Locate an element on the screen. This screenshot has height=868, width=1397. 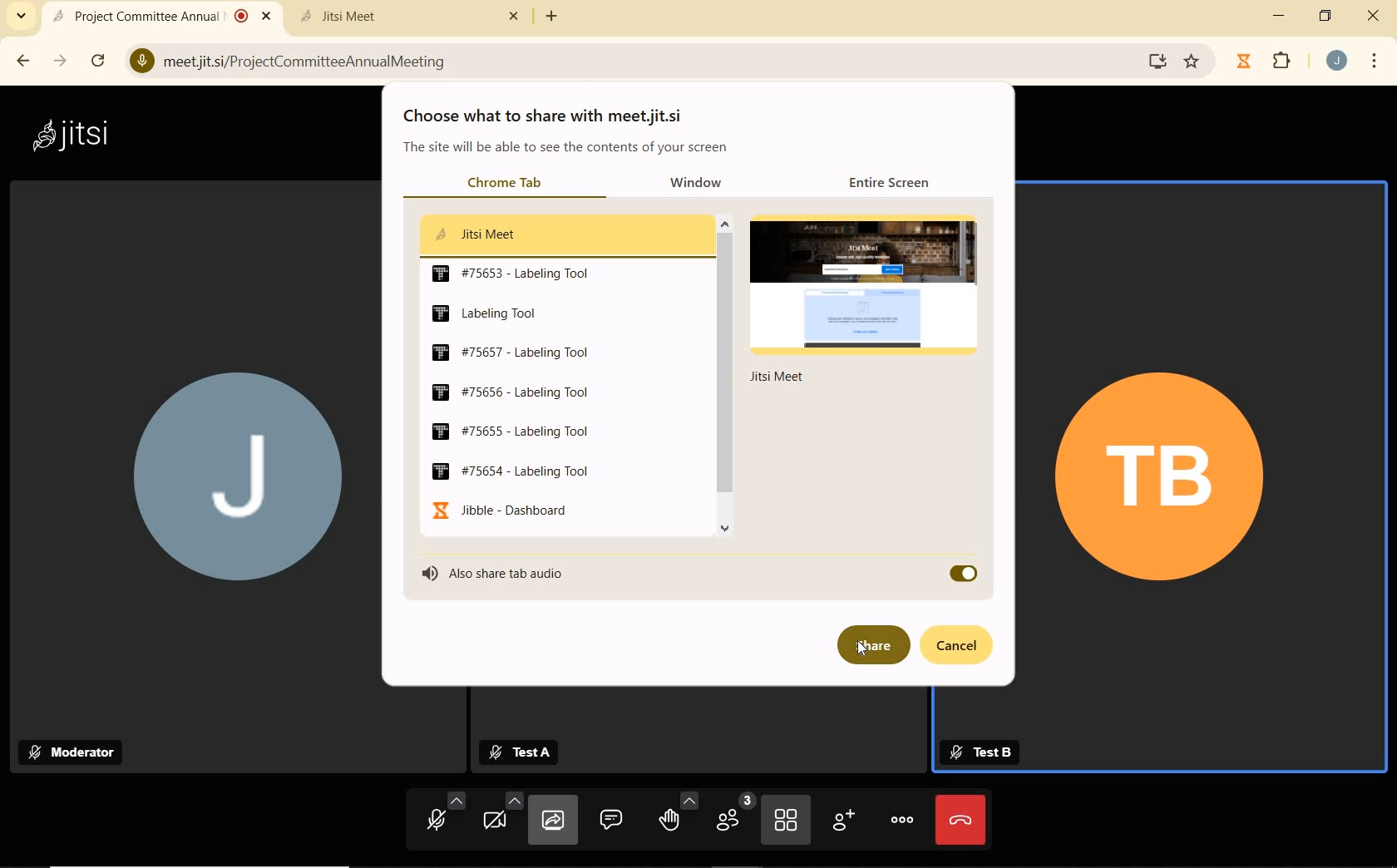
bookmark is located at coordinates (1193, 62).